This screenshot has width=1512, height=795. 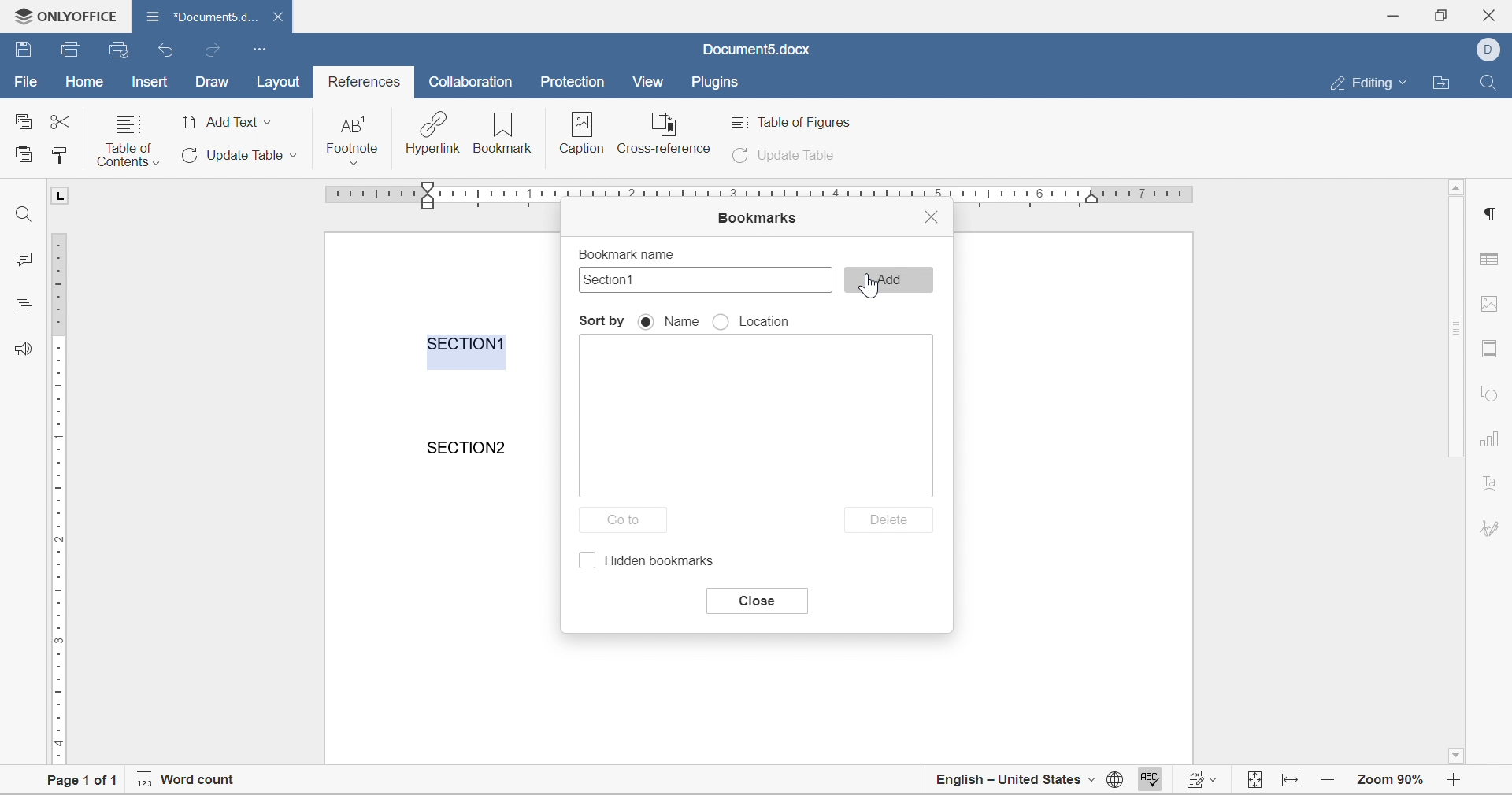 What do you see at coordinates (283, 82) in the screenshot?
I see `layout` at bounding box center [283, 82].